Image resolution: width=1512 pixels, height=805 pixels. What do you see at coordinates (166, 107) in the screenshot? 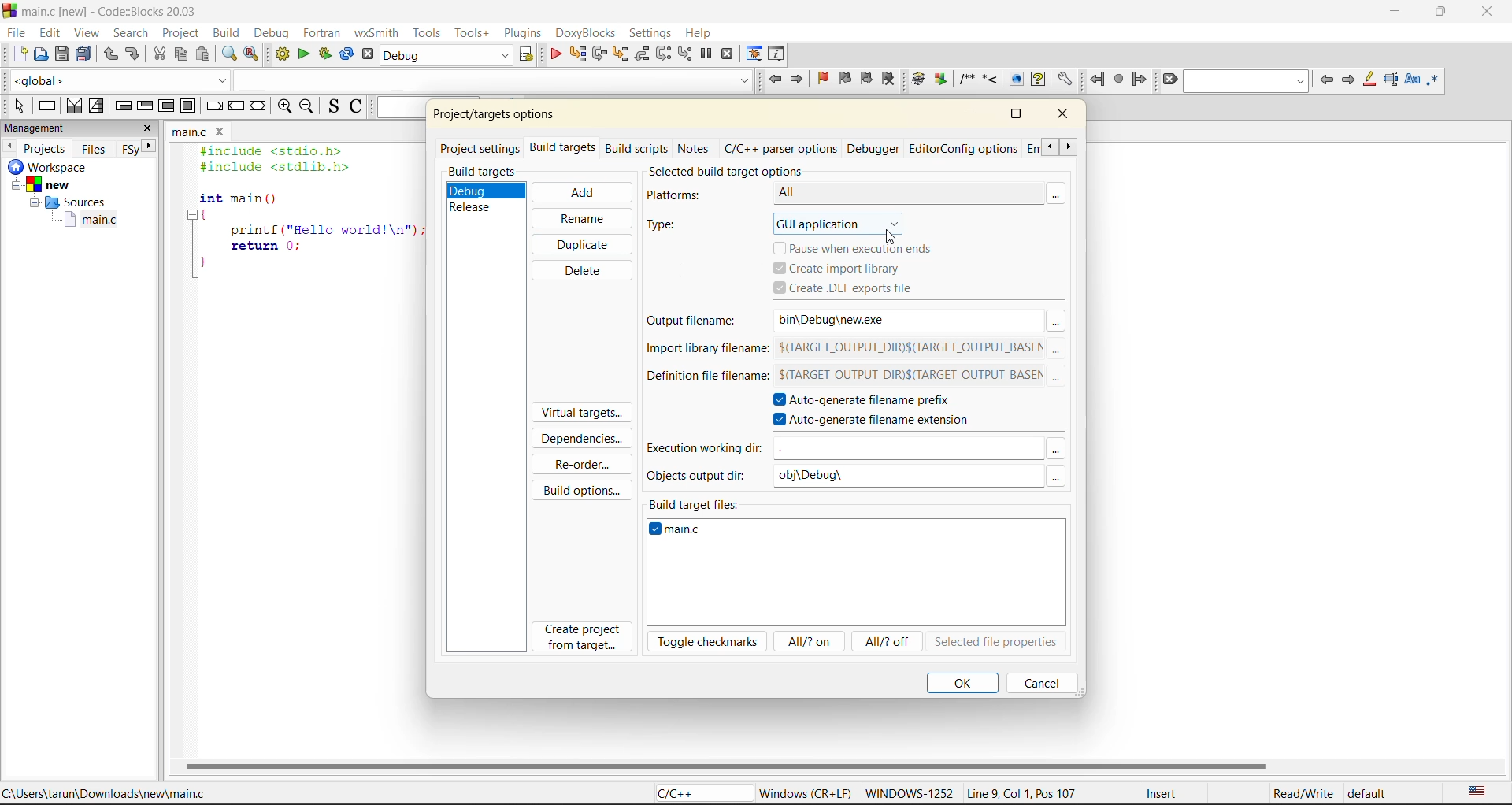
I see `counting loop` at bounding box center [166, 107].